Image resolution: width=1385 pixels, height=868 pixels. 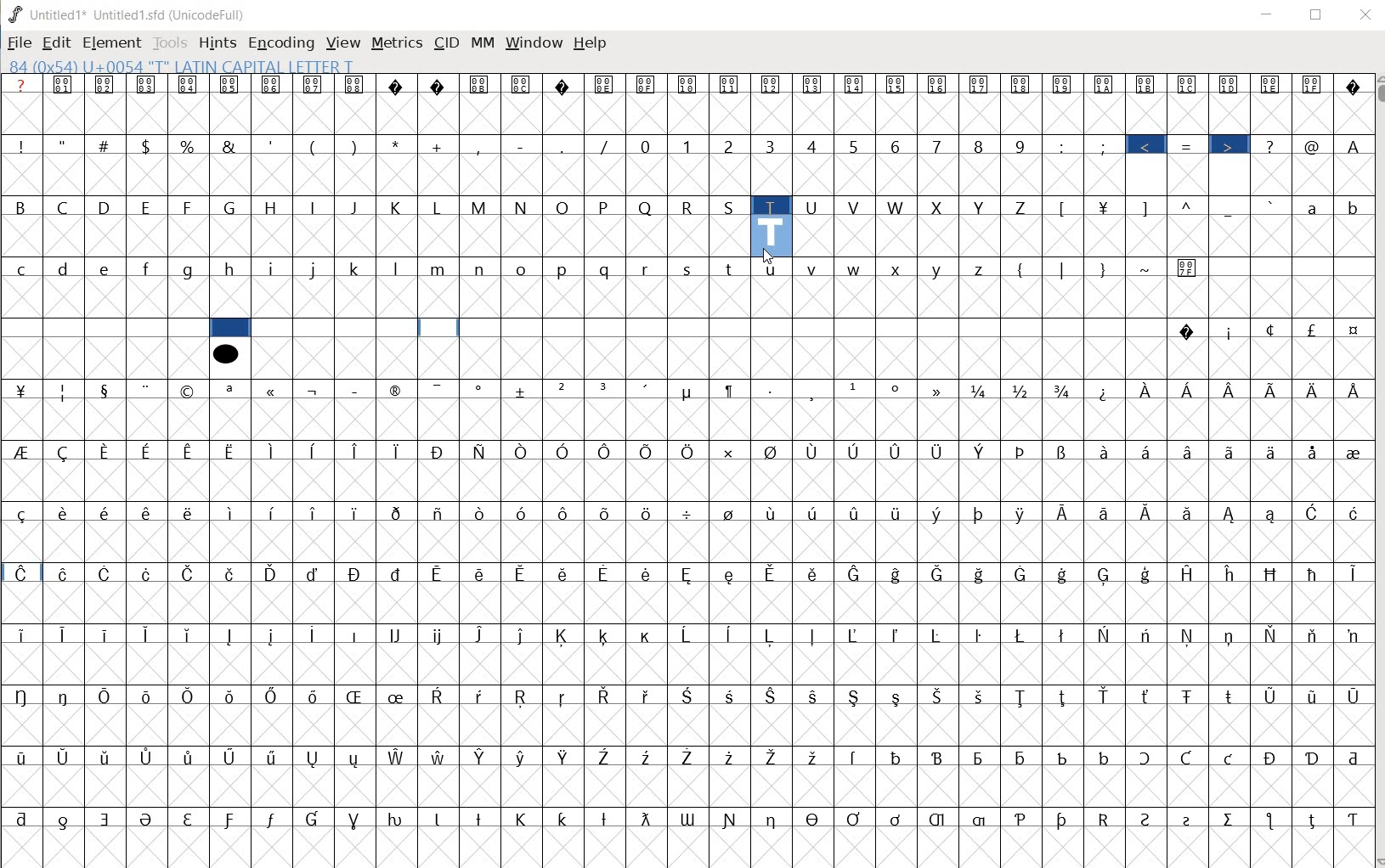 I want to click on 7, so click(x=936, y=145).